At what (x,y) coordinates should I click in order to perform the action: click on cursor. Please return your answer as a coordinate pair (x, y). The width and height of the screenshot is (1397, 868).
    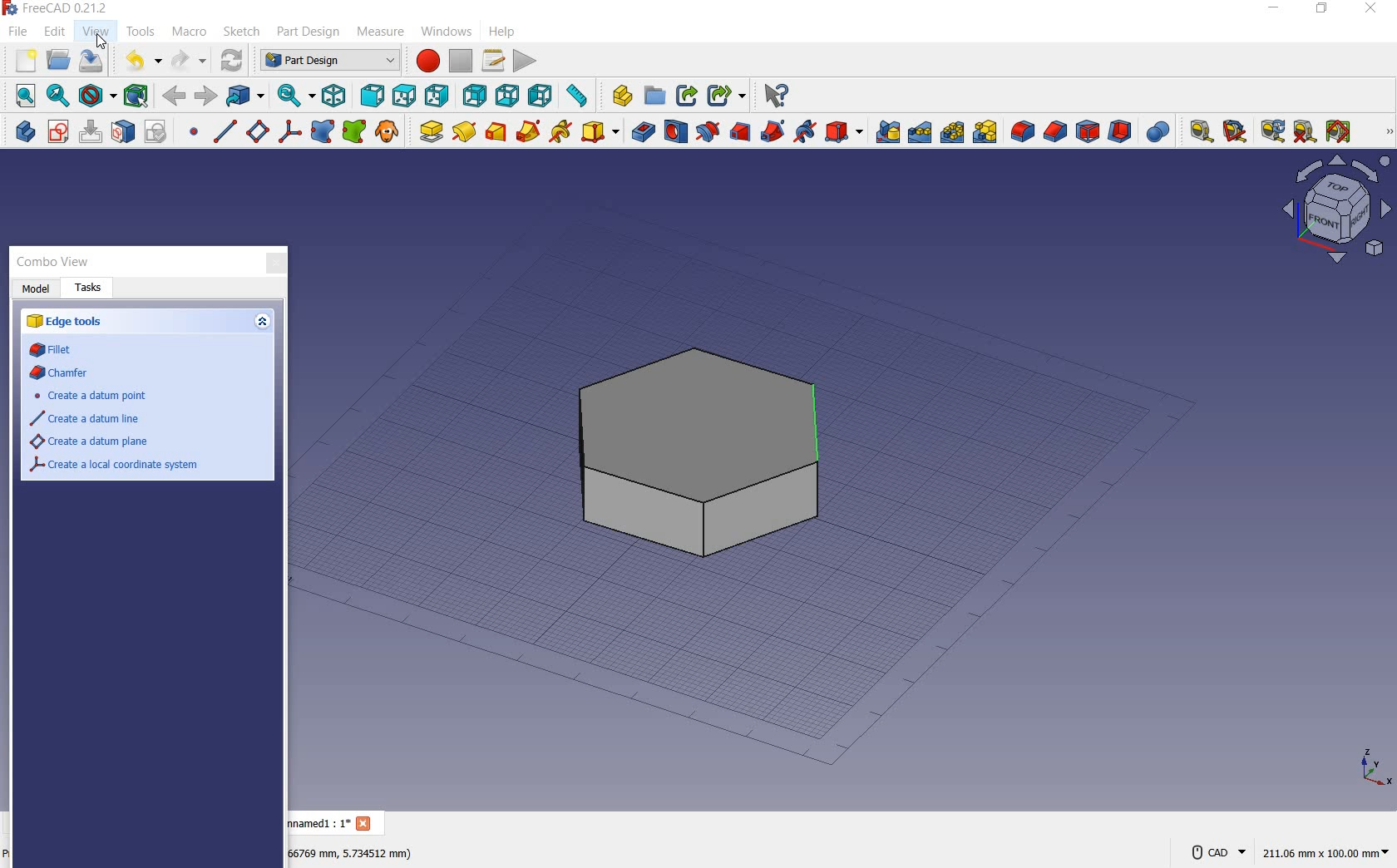
    Looking at the image, I should click on (101, 41).